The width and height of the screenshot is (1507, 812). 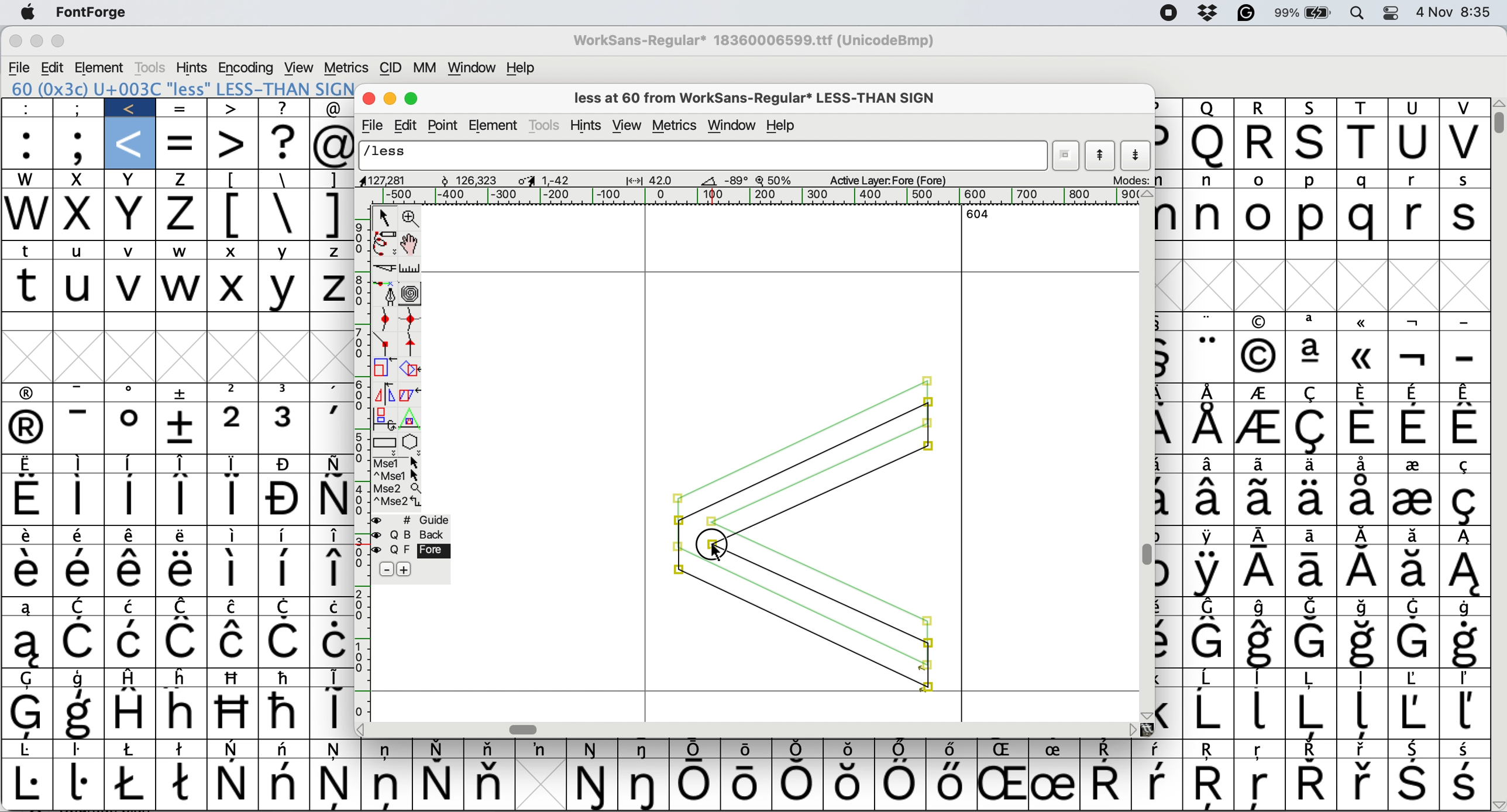 I want to click on Symbol, so click(x=699, y=785).